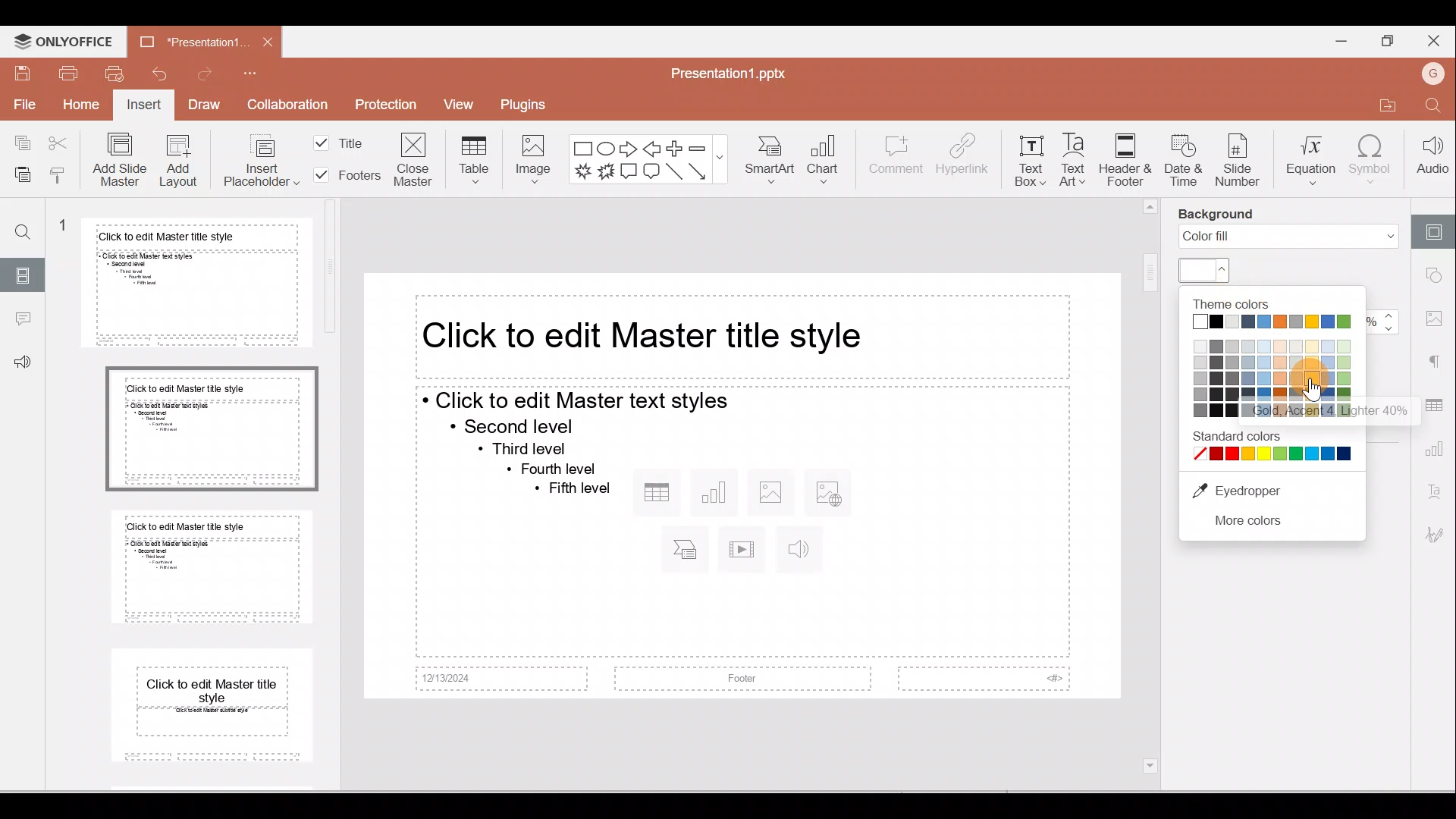 The height and width of the screenshot is (819, 1456). What do you see at coordinates (344, 175) in the screenshot?
I see `Footers` at bounding box center [344, 175].